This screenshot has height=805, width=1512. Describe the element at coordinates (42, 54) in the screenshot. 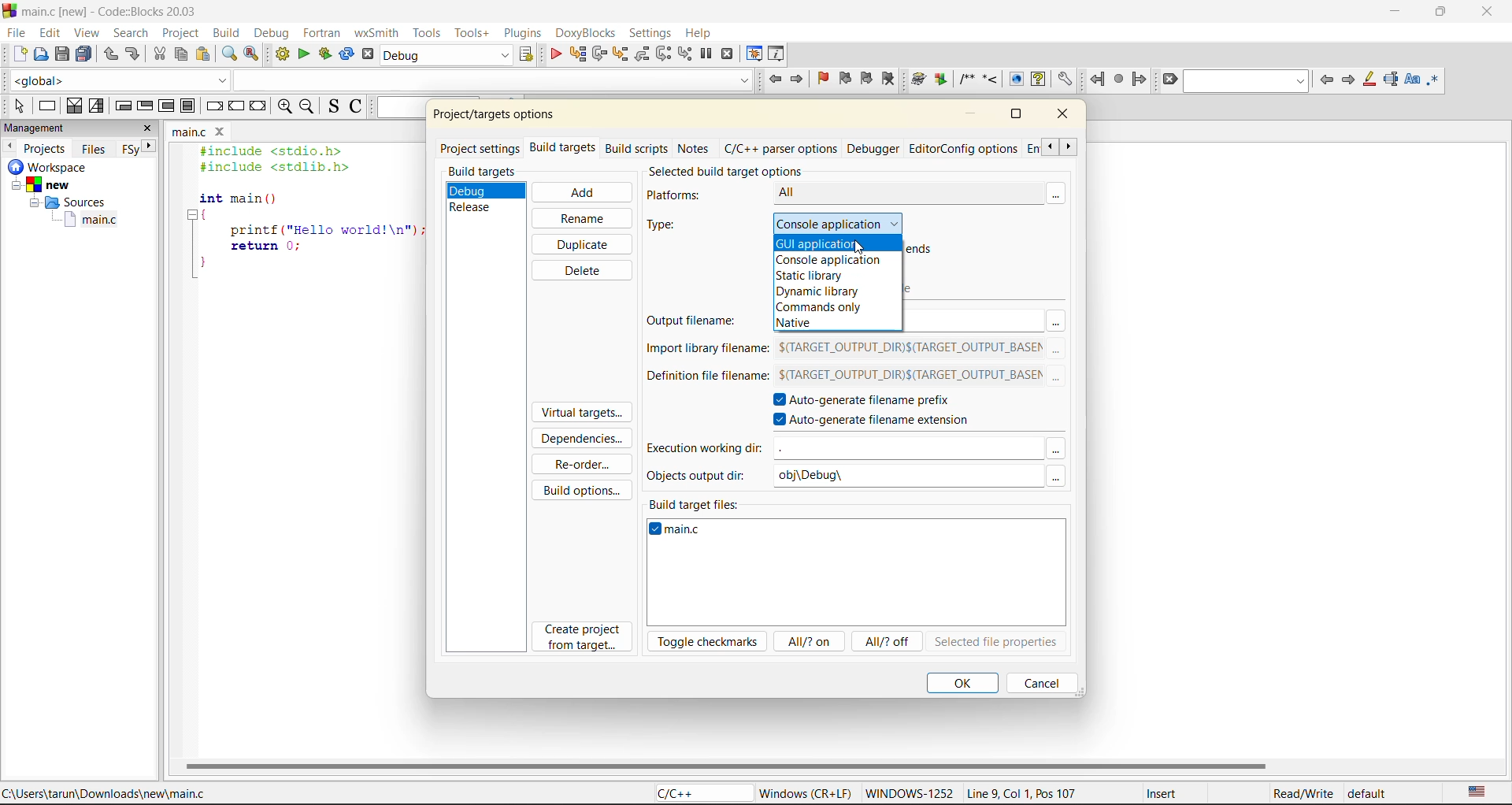

I see `open` at that location.